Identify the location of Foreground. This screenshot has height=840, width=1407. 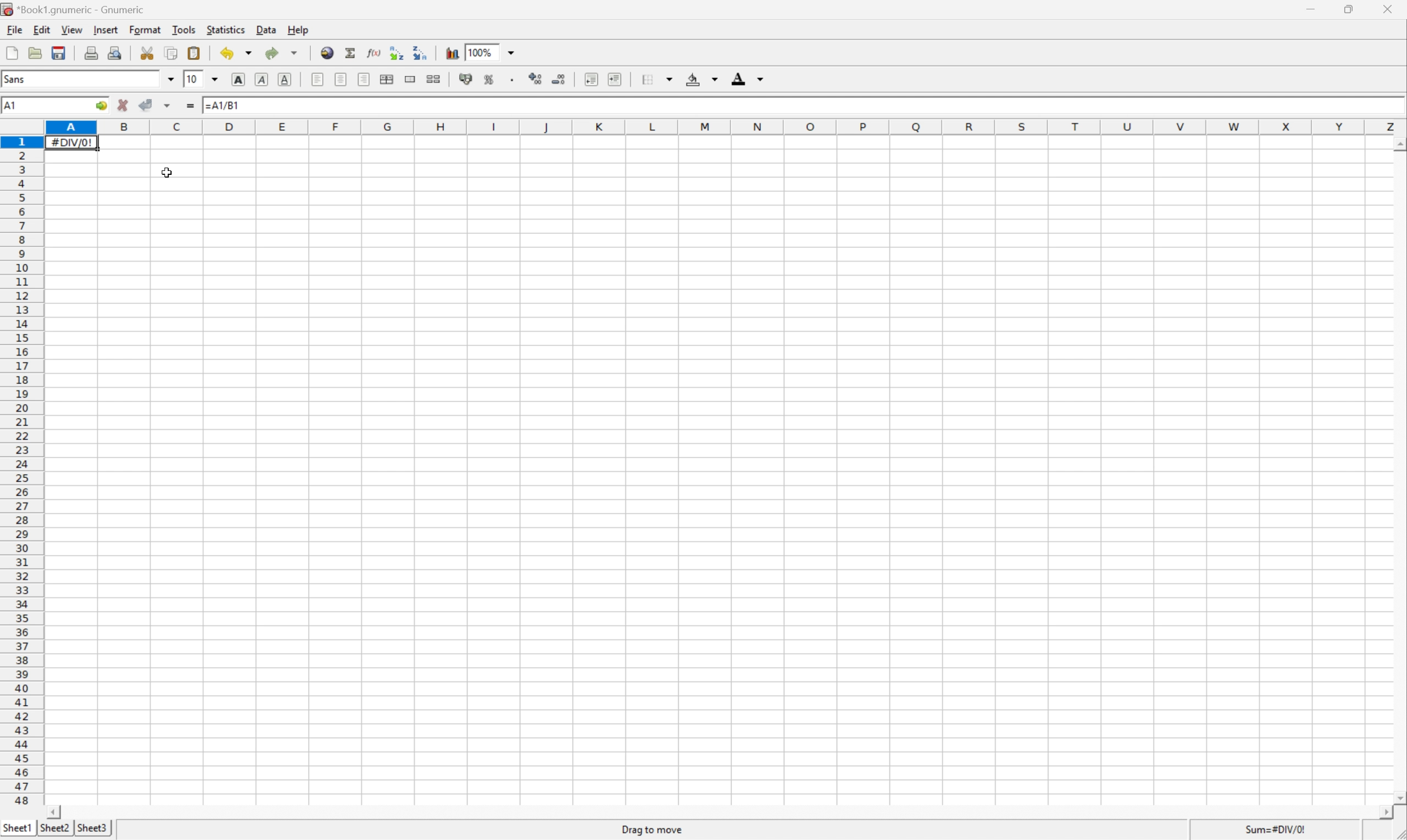
(739, 79).